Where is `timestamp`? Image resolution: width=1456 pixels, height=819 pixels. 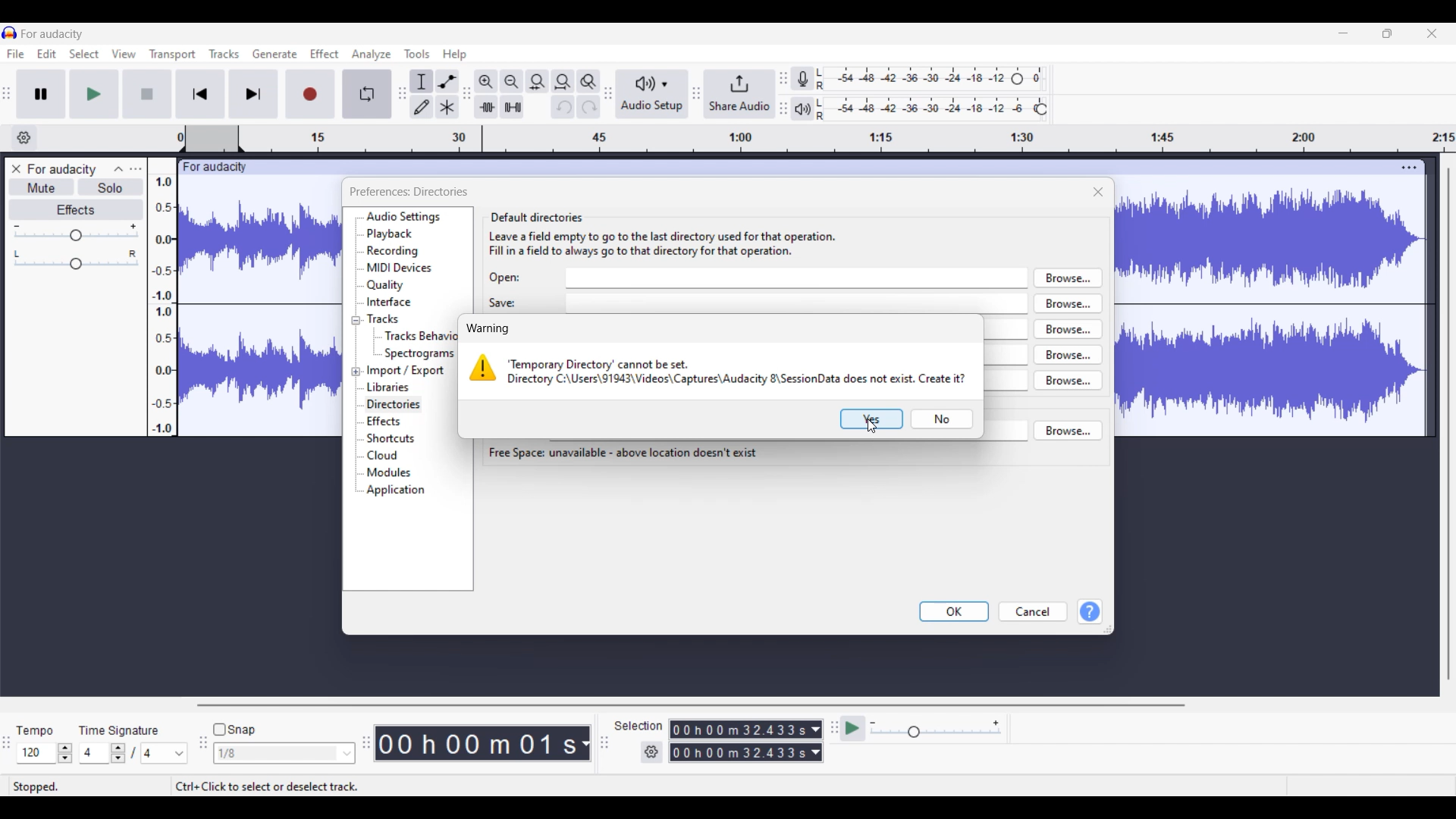 timestamp is located at coordinates (817, 139).